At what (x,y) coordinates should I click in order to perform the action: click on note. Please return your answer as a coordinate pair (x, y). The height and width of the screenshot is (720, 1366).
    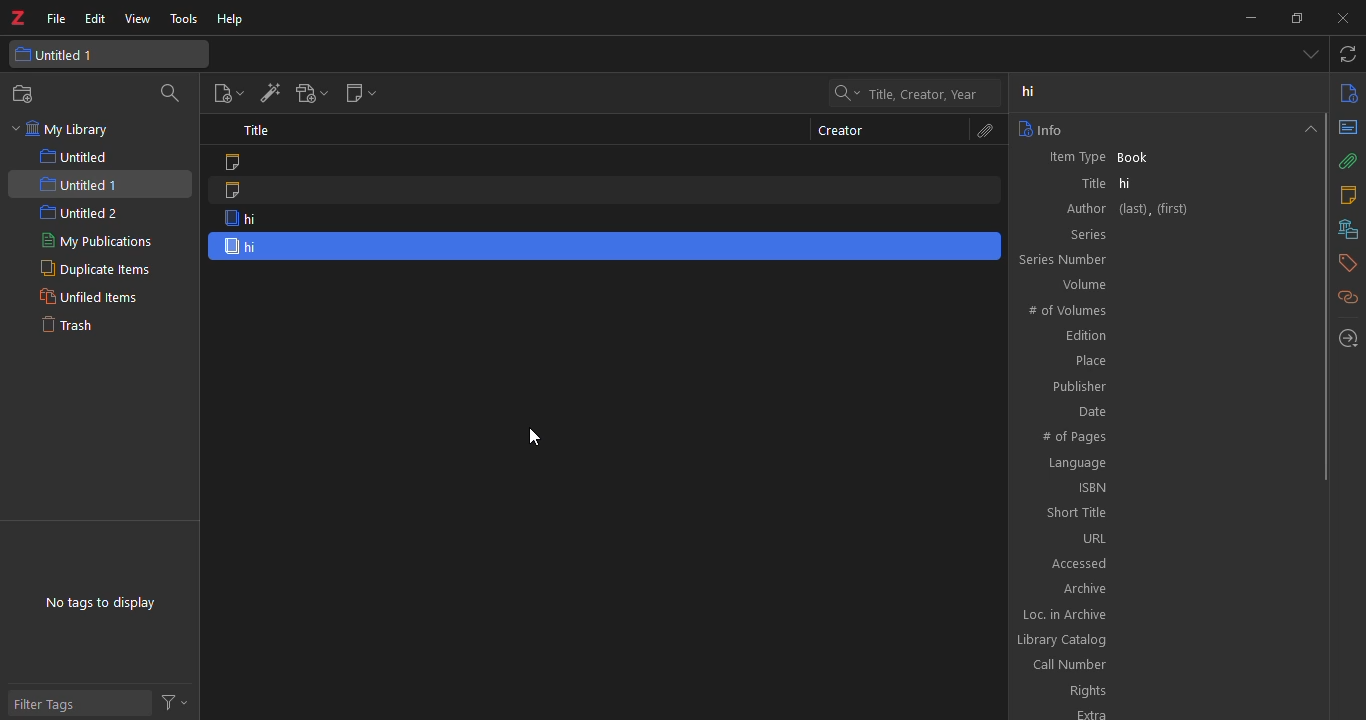
    Looking at the image, I should click on (238, 191).